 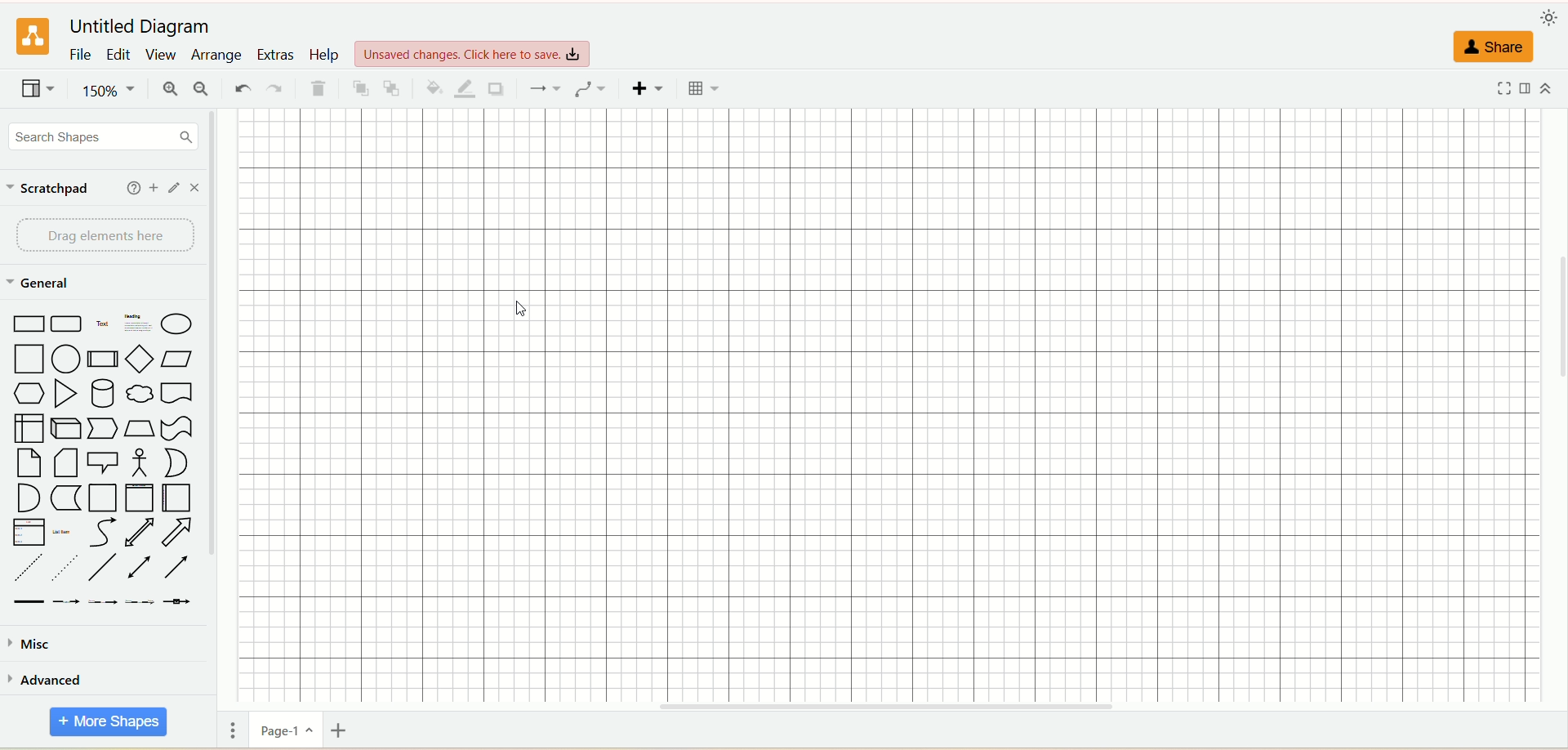 I want to click on page-1, so click(x=288, y=732).